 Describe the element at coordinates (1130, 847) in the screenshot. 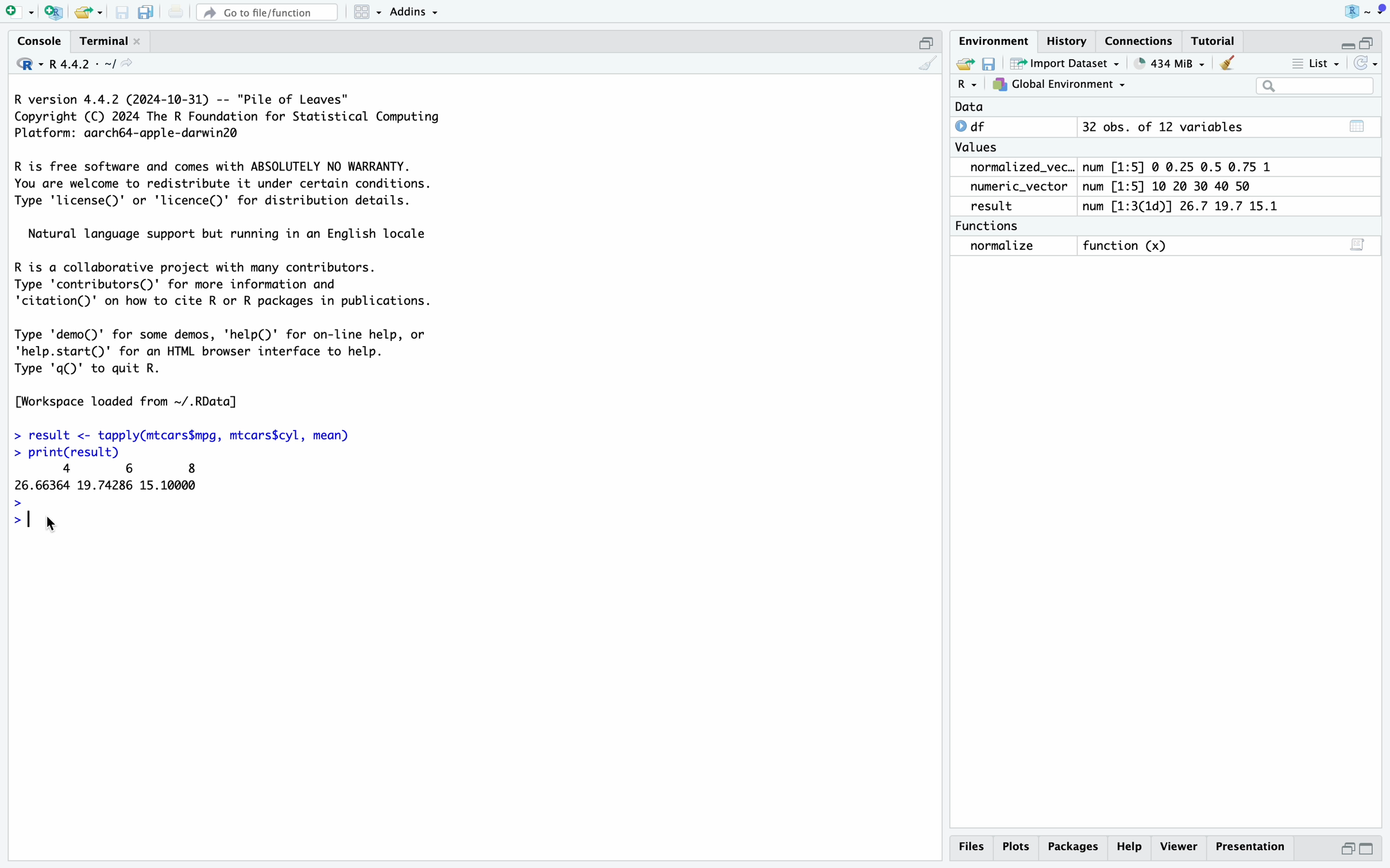

I see `Help` at that location.